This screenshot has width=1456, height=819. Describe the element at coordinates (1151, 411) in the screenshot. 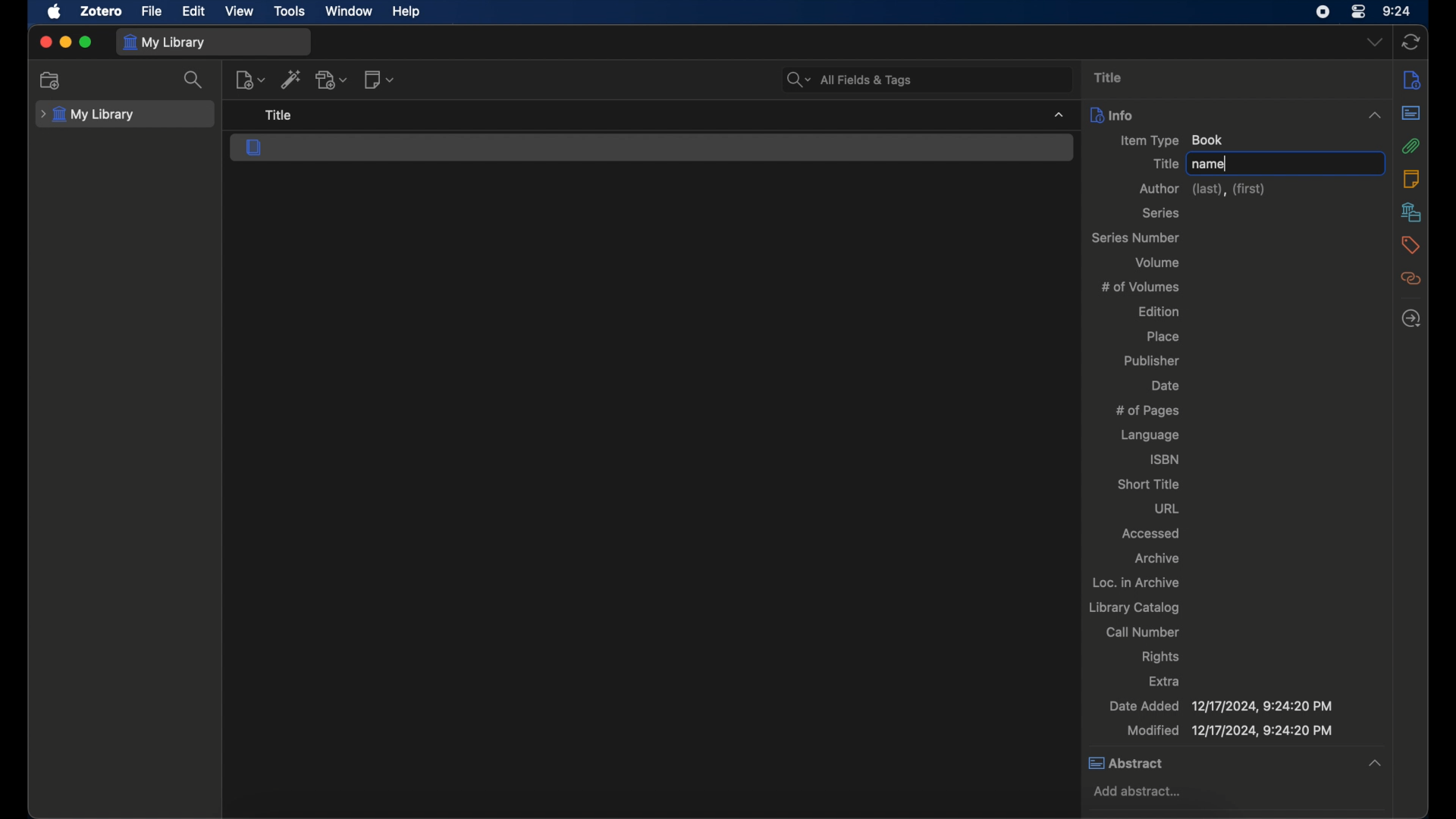

I see `no of pages` at that location.